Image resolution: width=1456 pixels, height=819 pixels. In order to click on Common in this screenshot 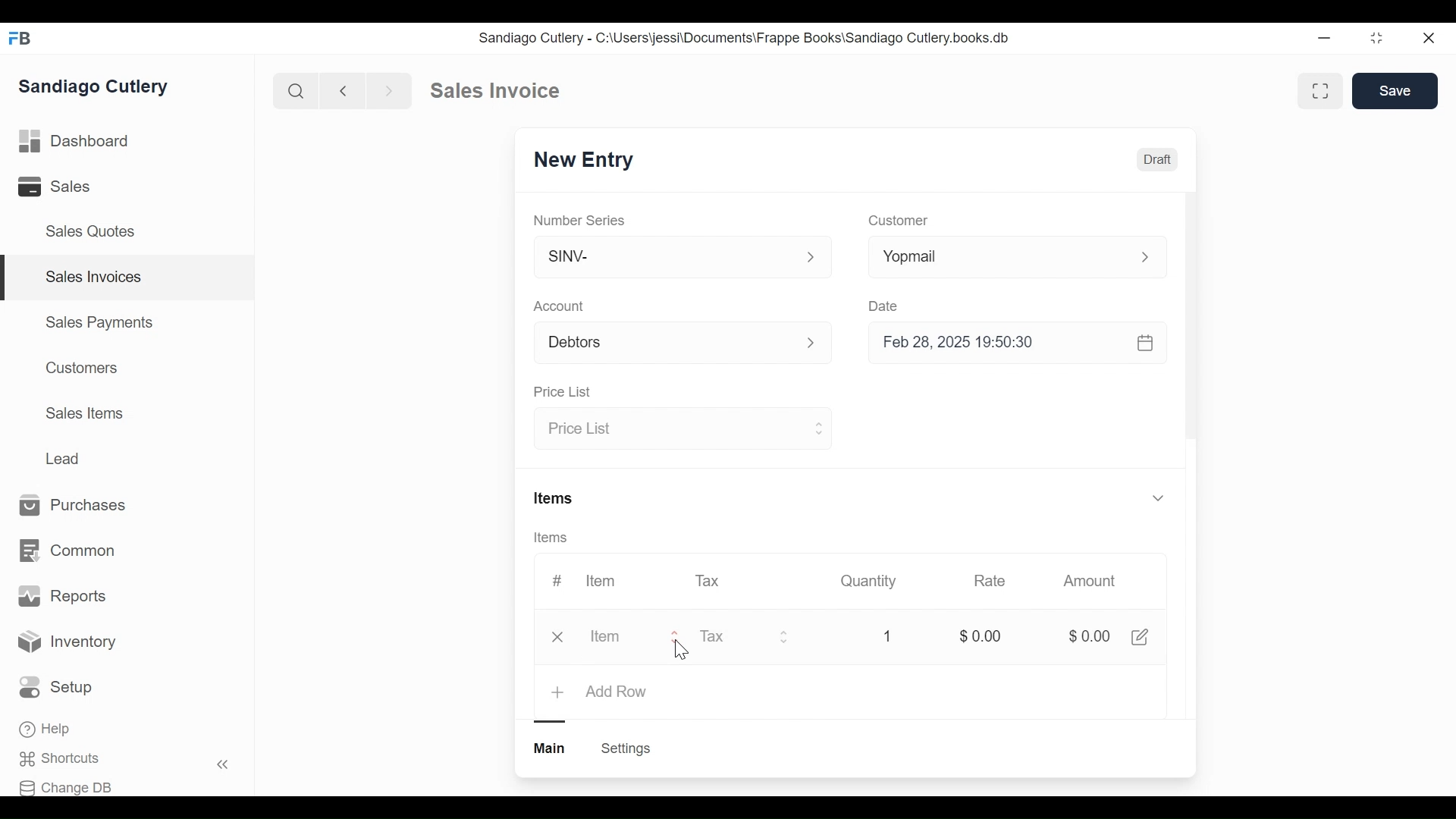, I will do `click(70, 551)`.